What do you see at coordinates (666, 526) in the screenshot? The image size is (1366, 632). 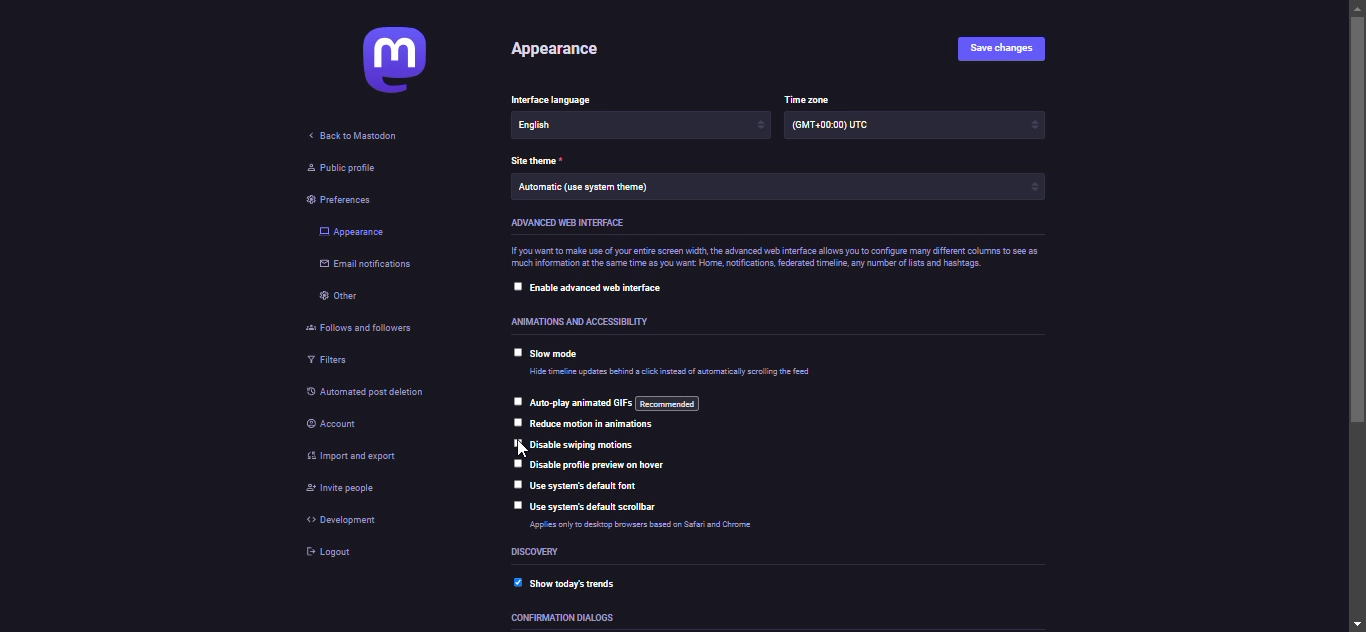 I see `info` at bounding box center [666, 526].